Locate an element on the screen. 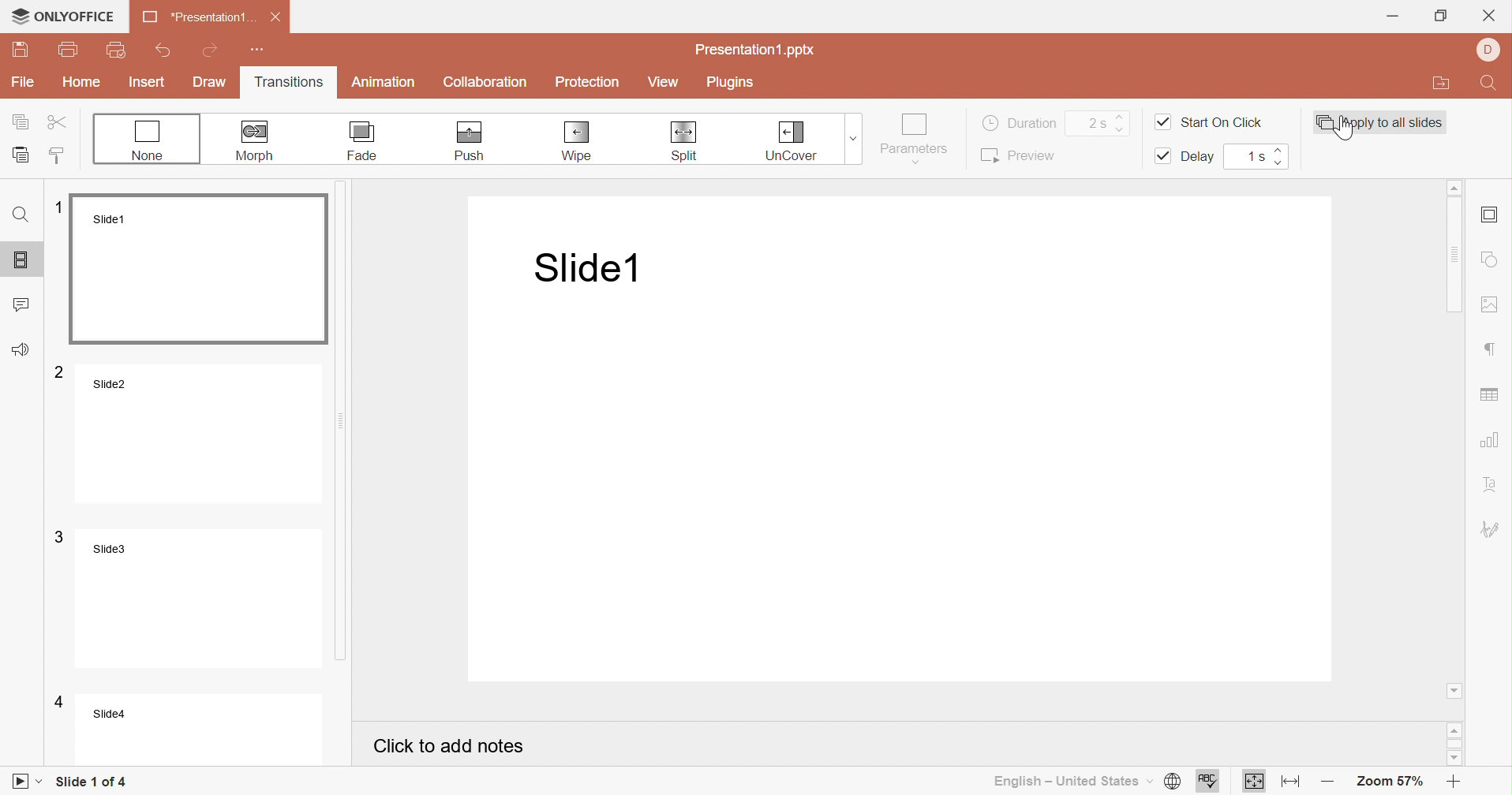 Image resolution: width=1512 pixels, height=795 pixels. Copy style is located at coordinates (60, 157).